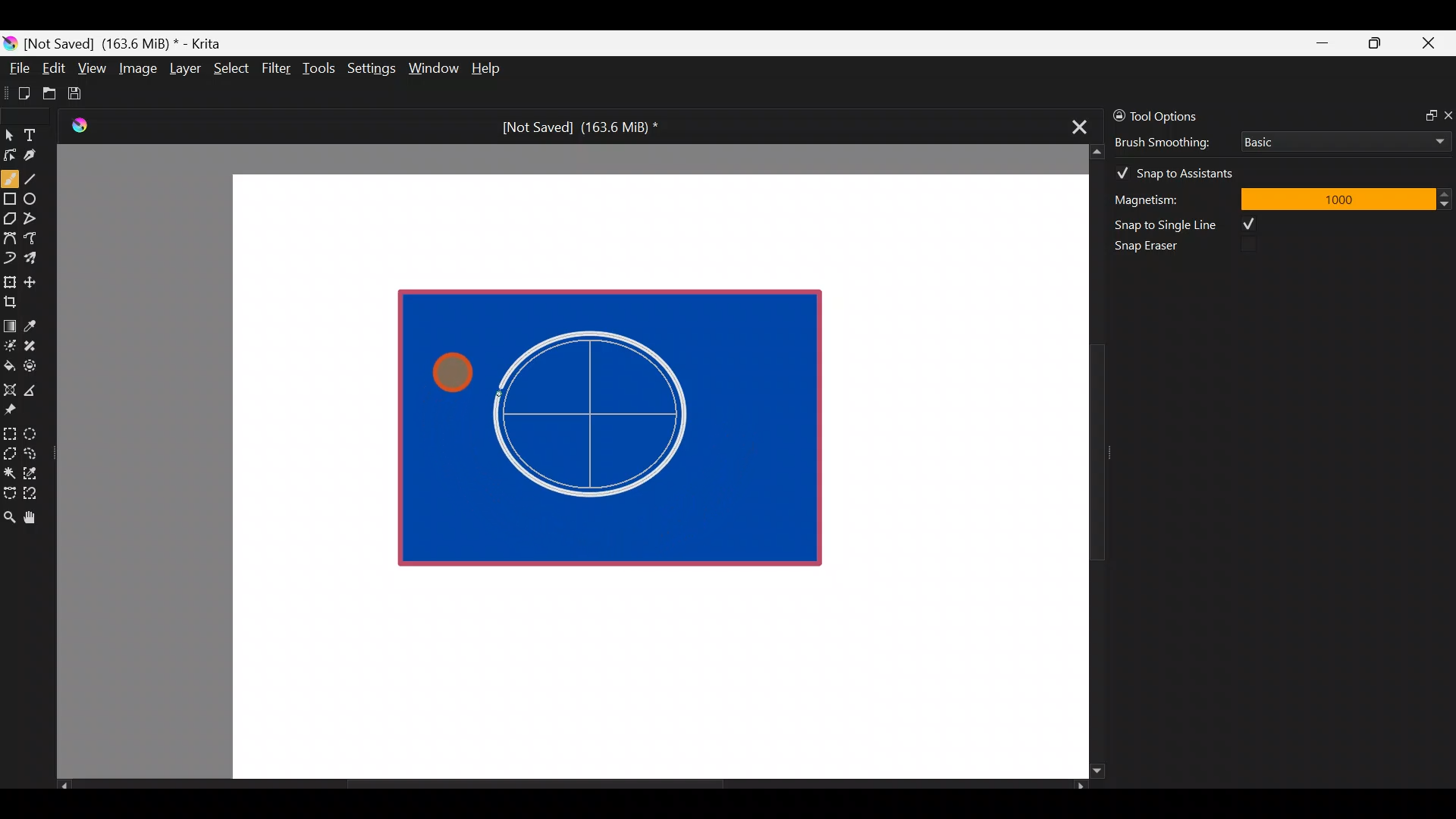 This screenshot has height=819, width=1456. Describe the element at coordinates (50, 96) in the screenshot. I see `Open an existing document` at that location.